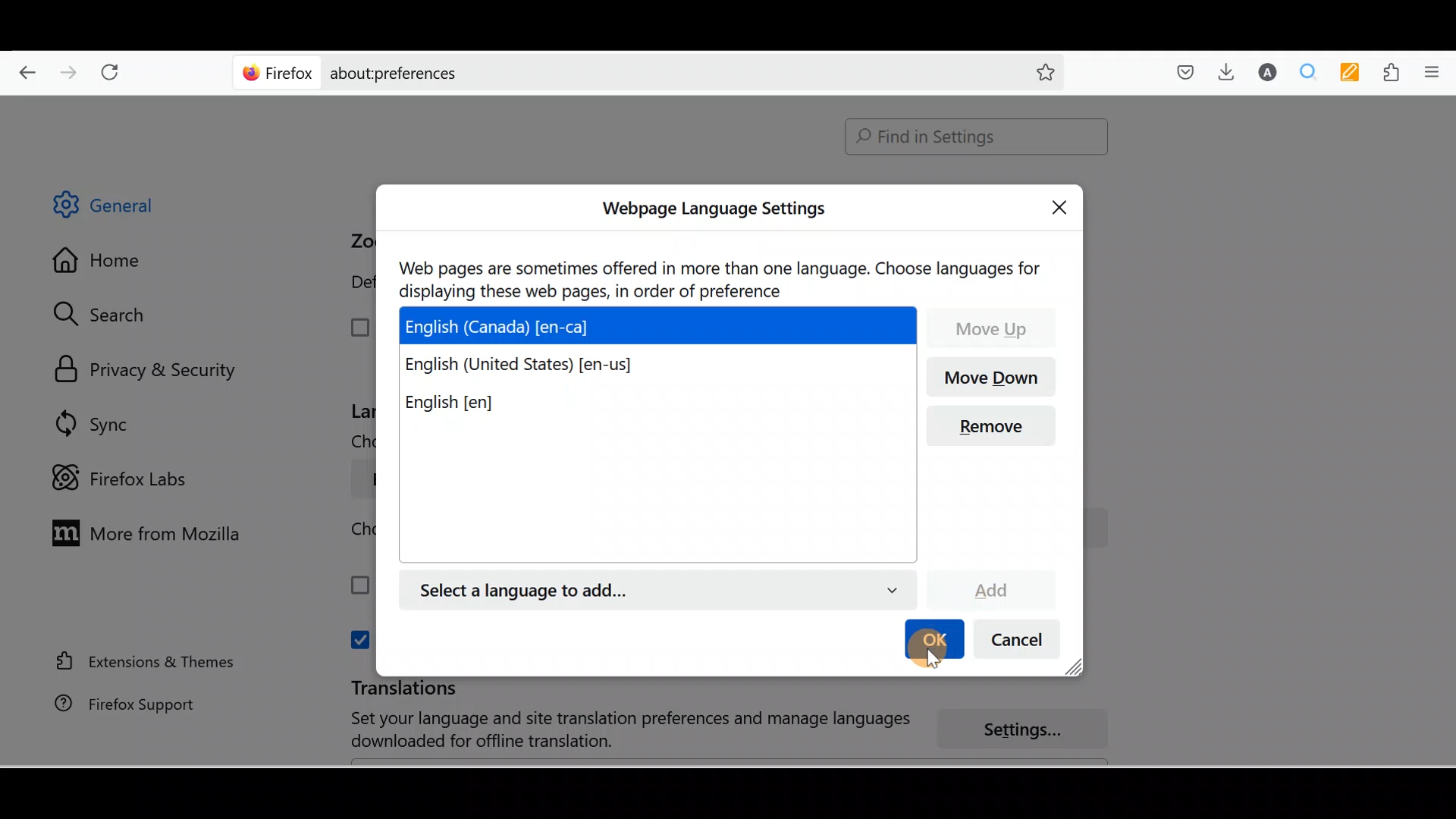 This screenshot has height=819, width=1456. What do you see at coordinates (142, 532) in the screenshot?
I see `More from Mozilla` at bounding box center [142, 532].